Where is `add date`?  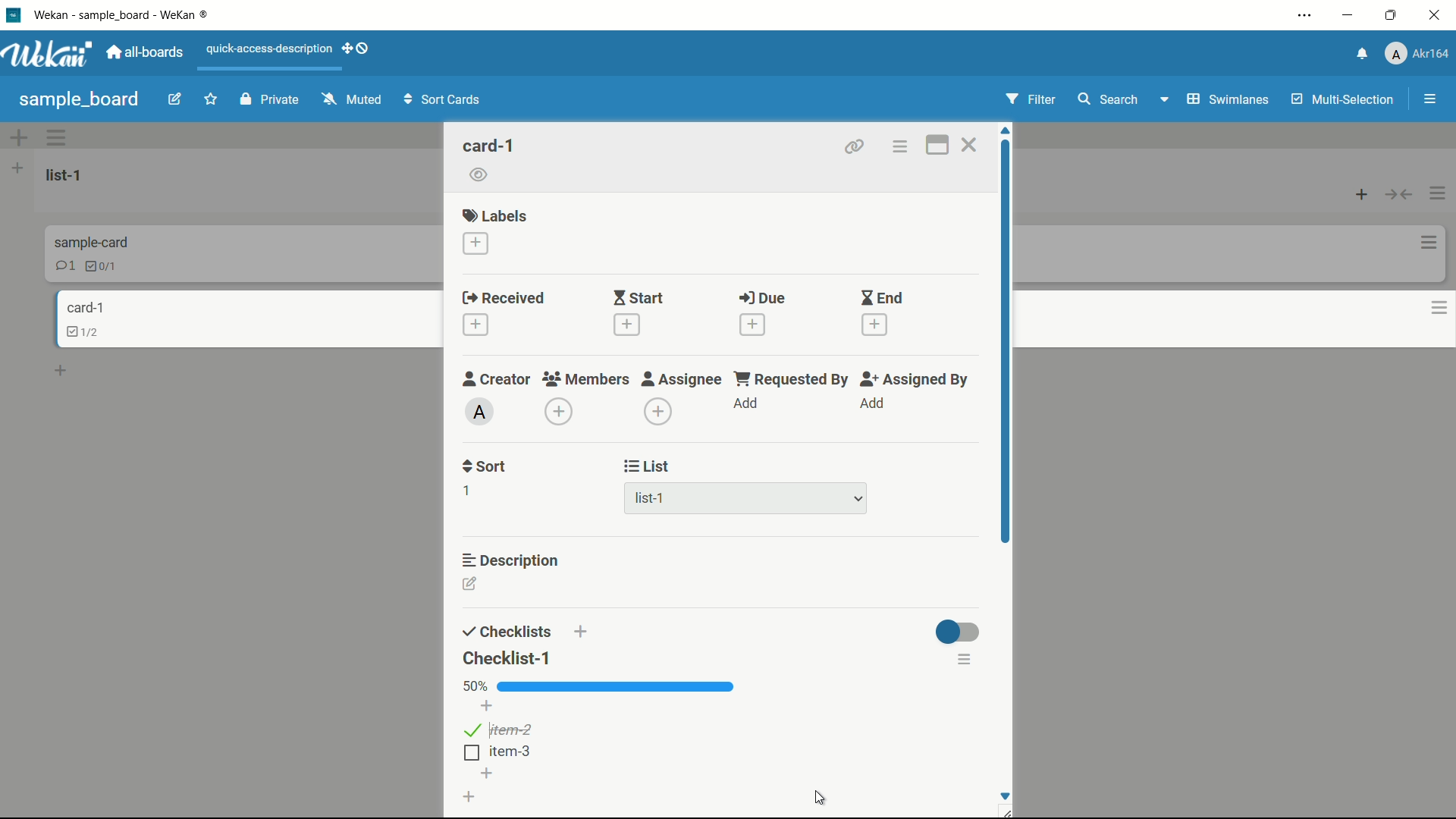
add date is located at coordinates (752, 324).